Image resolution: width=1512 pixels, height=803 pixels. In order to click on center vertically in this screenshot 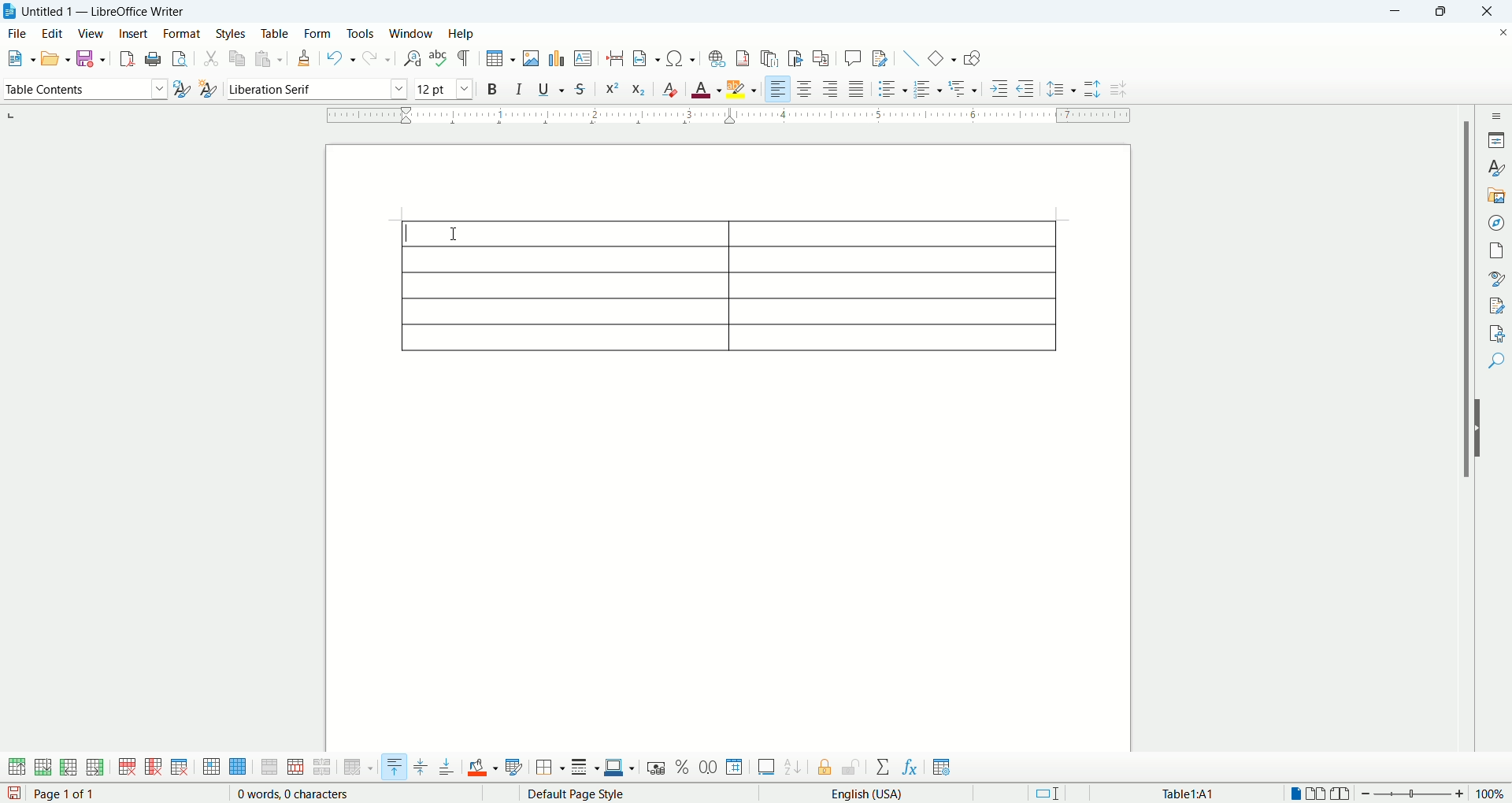, I will do `click(420, 768)`.